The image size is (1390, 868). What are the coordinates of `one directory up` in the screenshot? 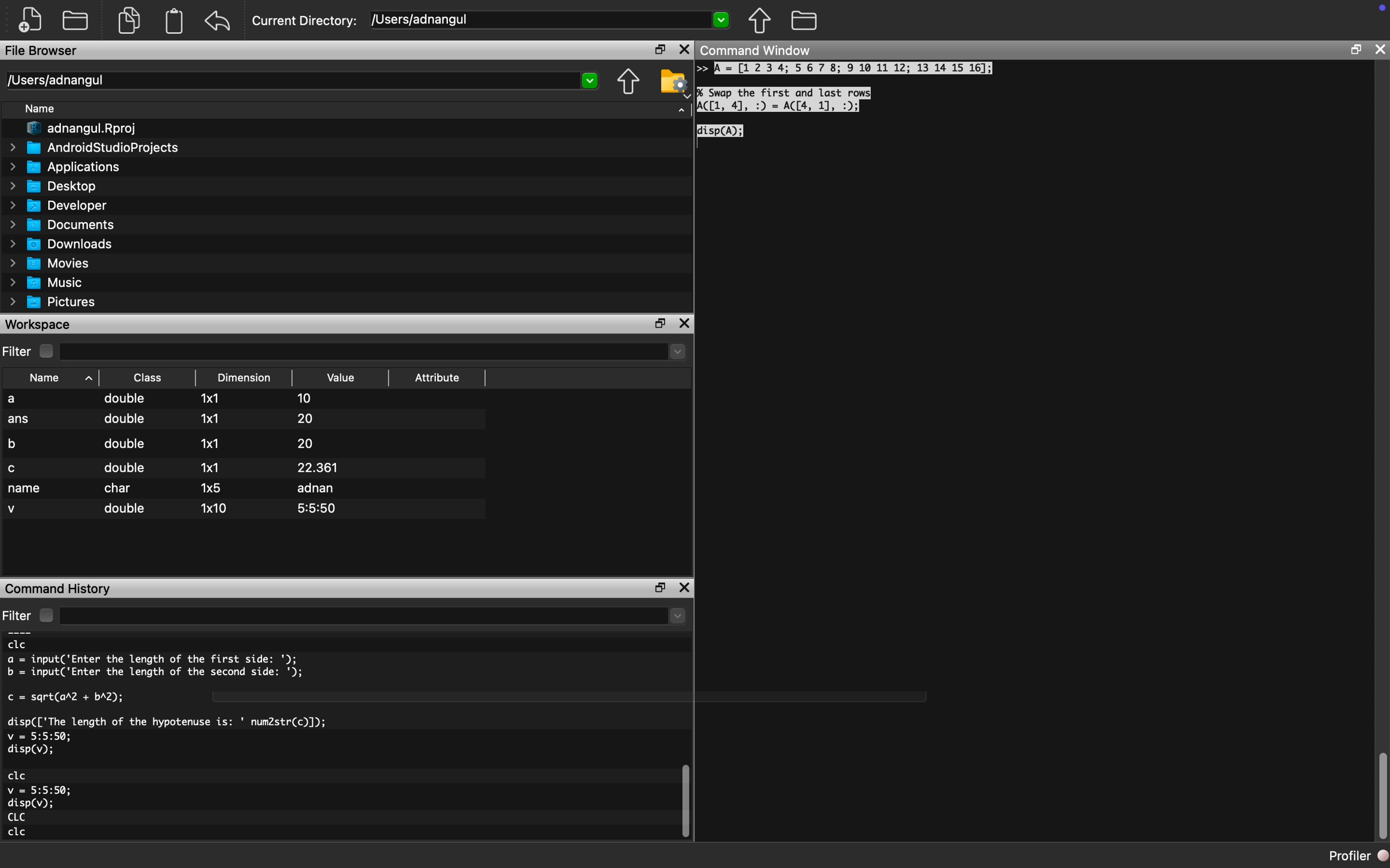 It's located at (763, 23).